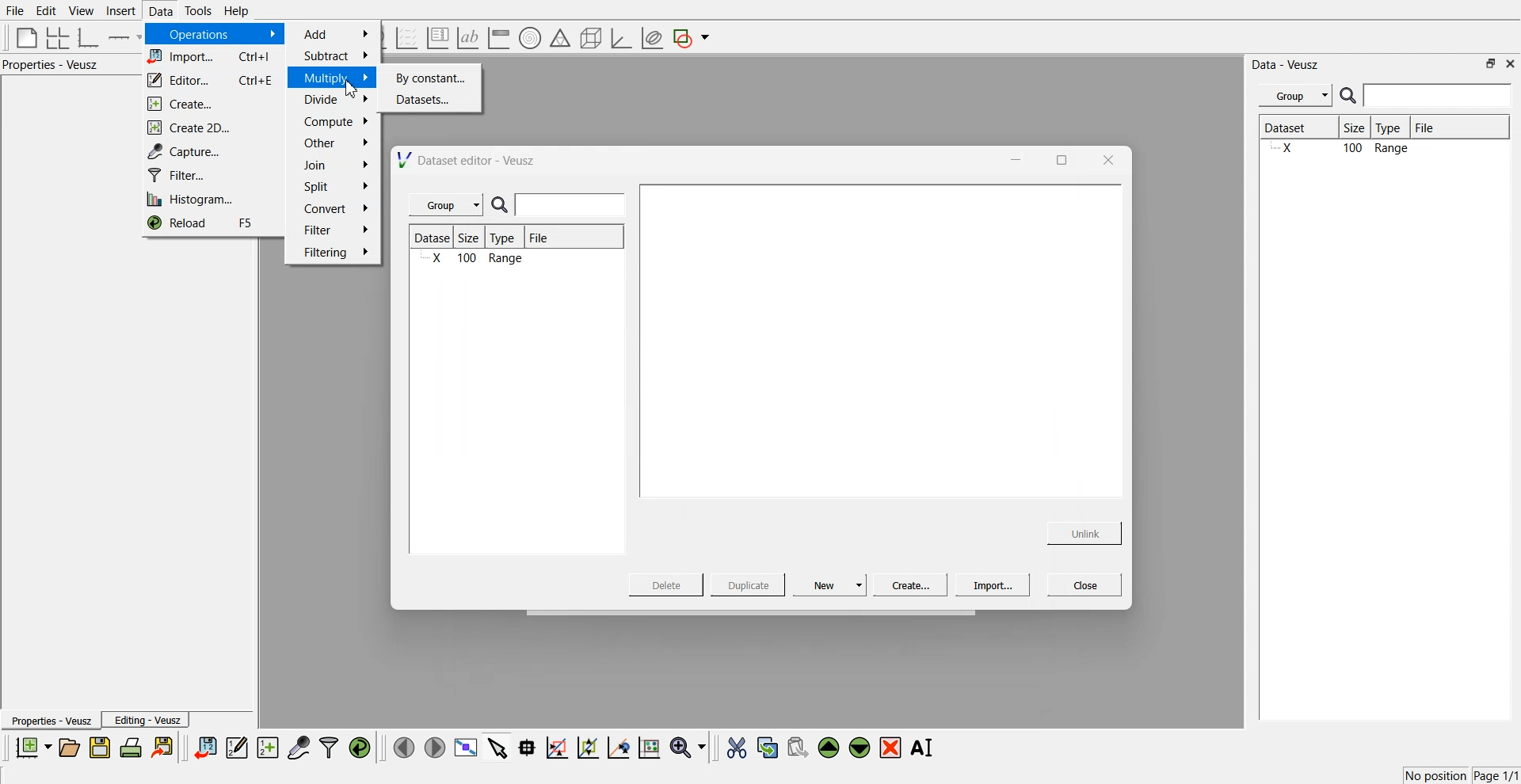 The width and height of the screenshot is (1521, 784). What do you see at coordinates (237, 749) in the screenshot?
I see `edit and enter data points` at bounding box center [237, 749].